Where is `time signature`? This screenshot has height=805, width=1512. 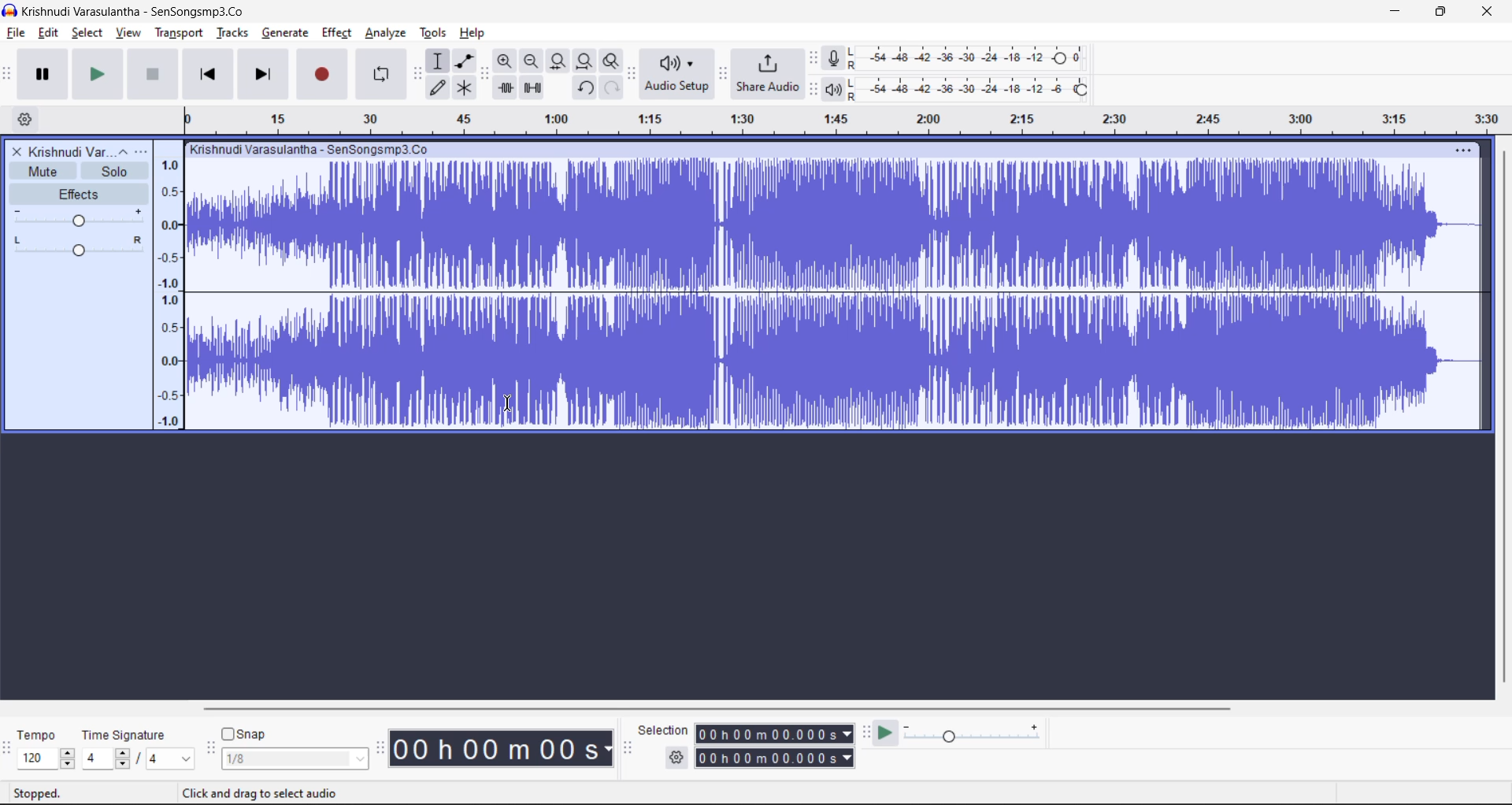 time signature is located at coordinates (129, 736).